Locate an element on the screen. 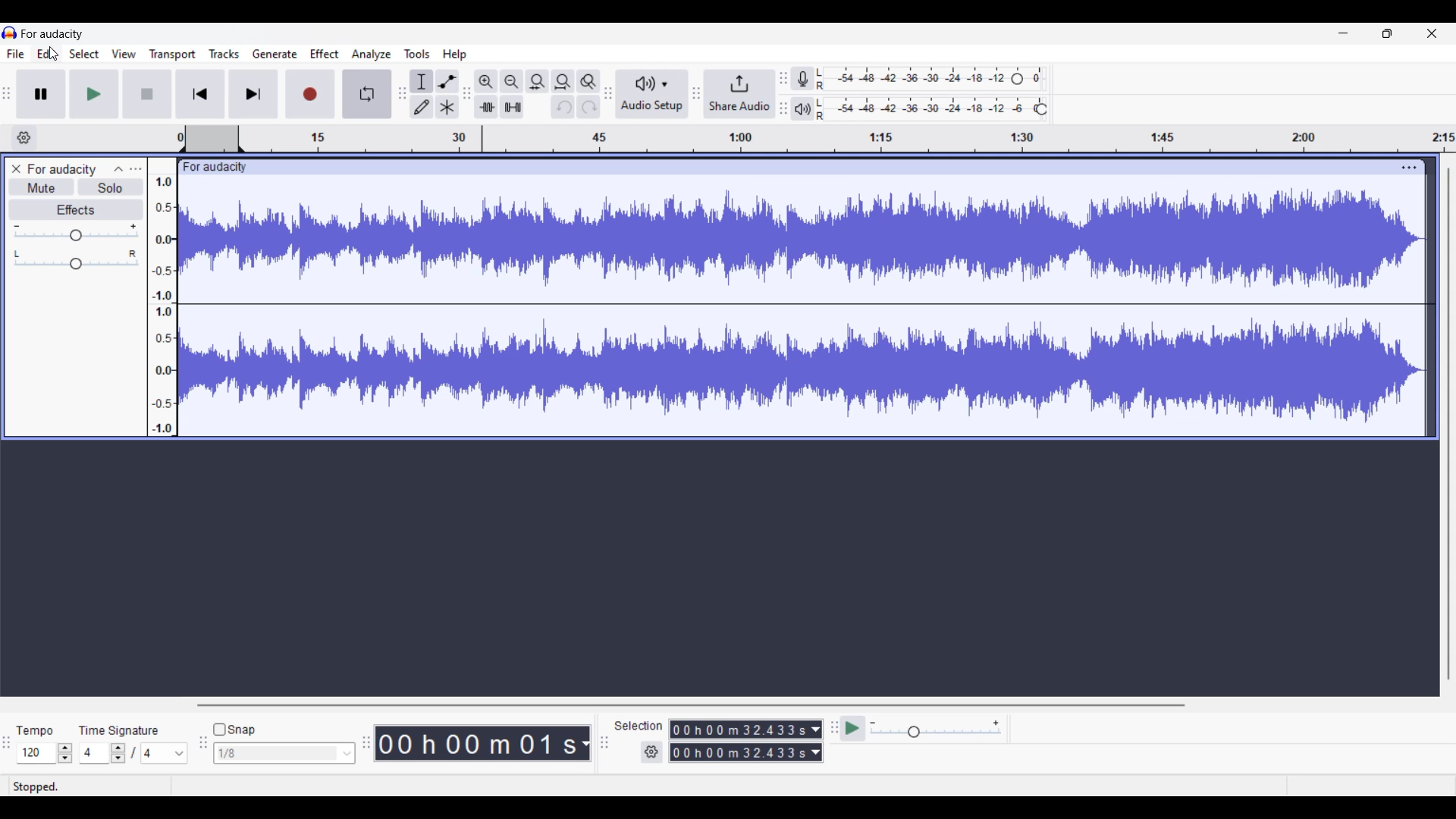 Image resolution: width=1456 pixels, height=819 pixels. Selection tool is located at coordinates (422, 81).